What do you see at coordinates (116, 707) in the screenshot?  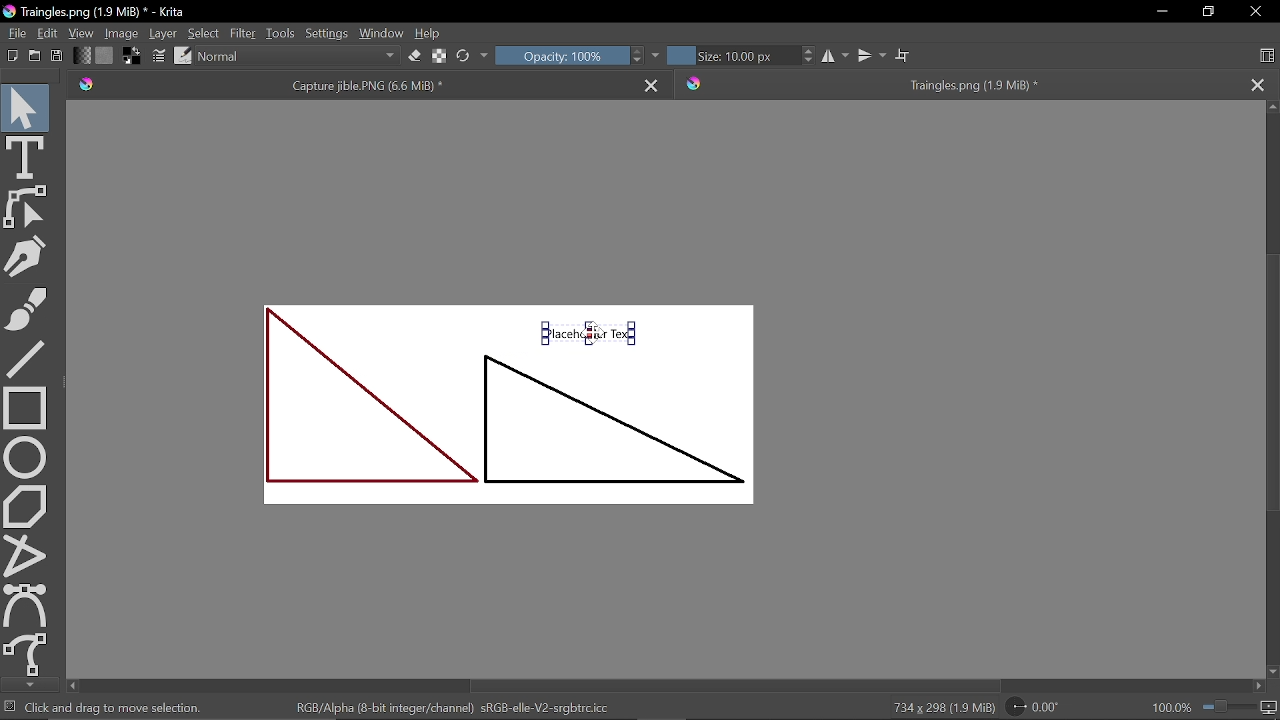 I see `Click and drag to move selection.` at bounding box center [116, 707].